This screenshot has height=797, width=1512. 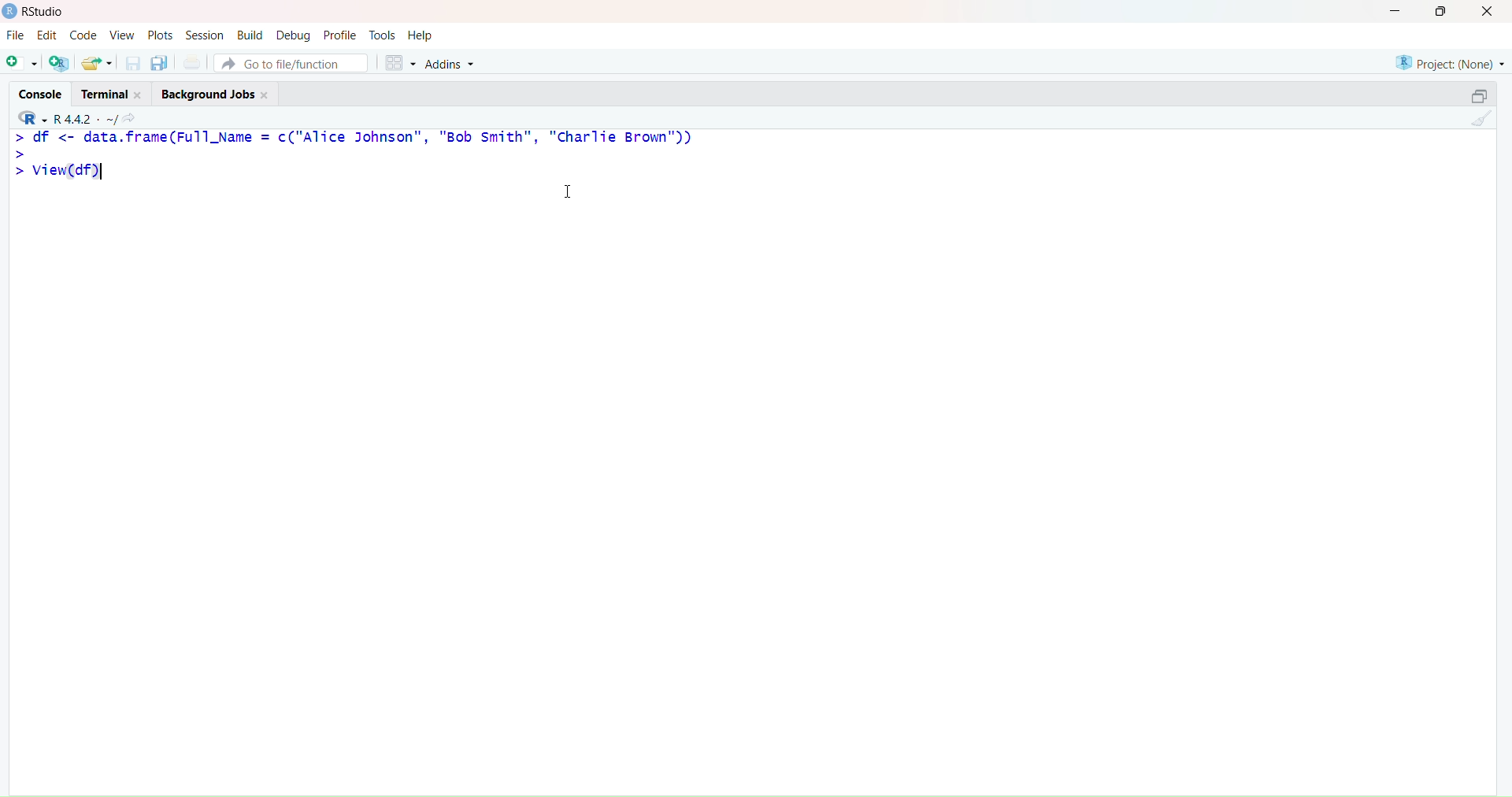 I want to click on View(df)|, so click(x=78, y=172).